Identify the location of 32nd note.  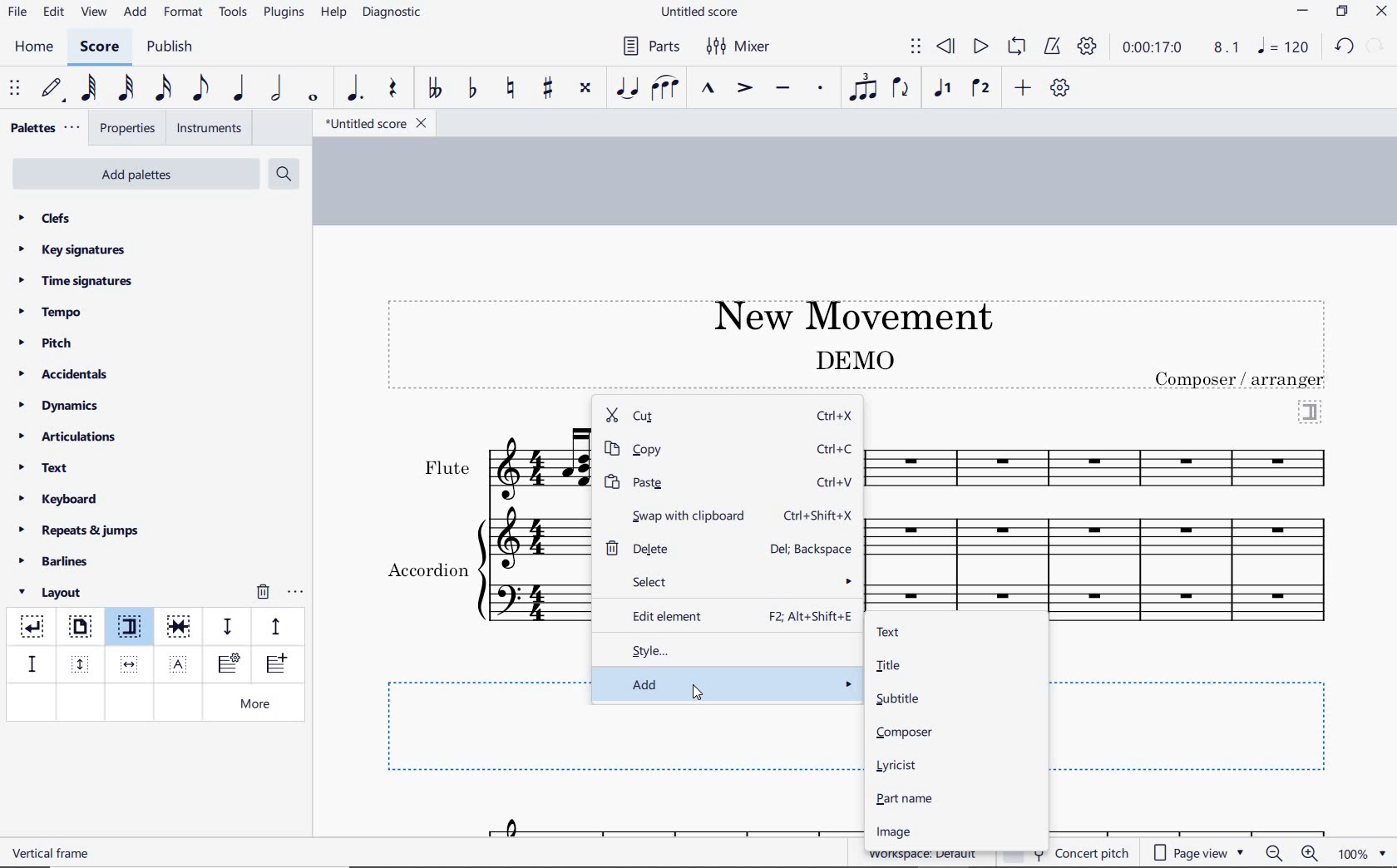
(125, 89).